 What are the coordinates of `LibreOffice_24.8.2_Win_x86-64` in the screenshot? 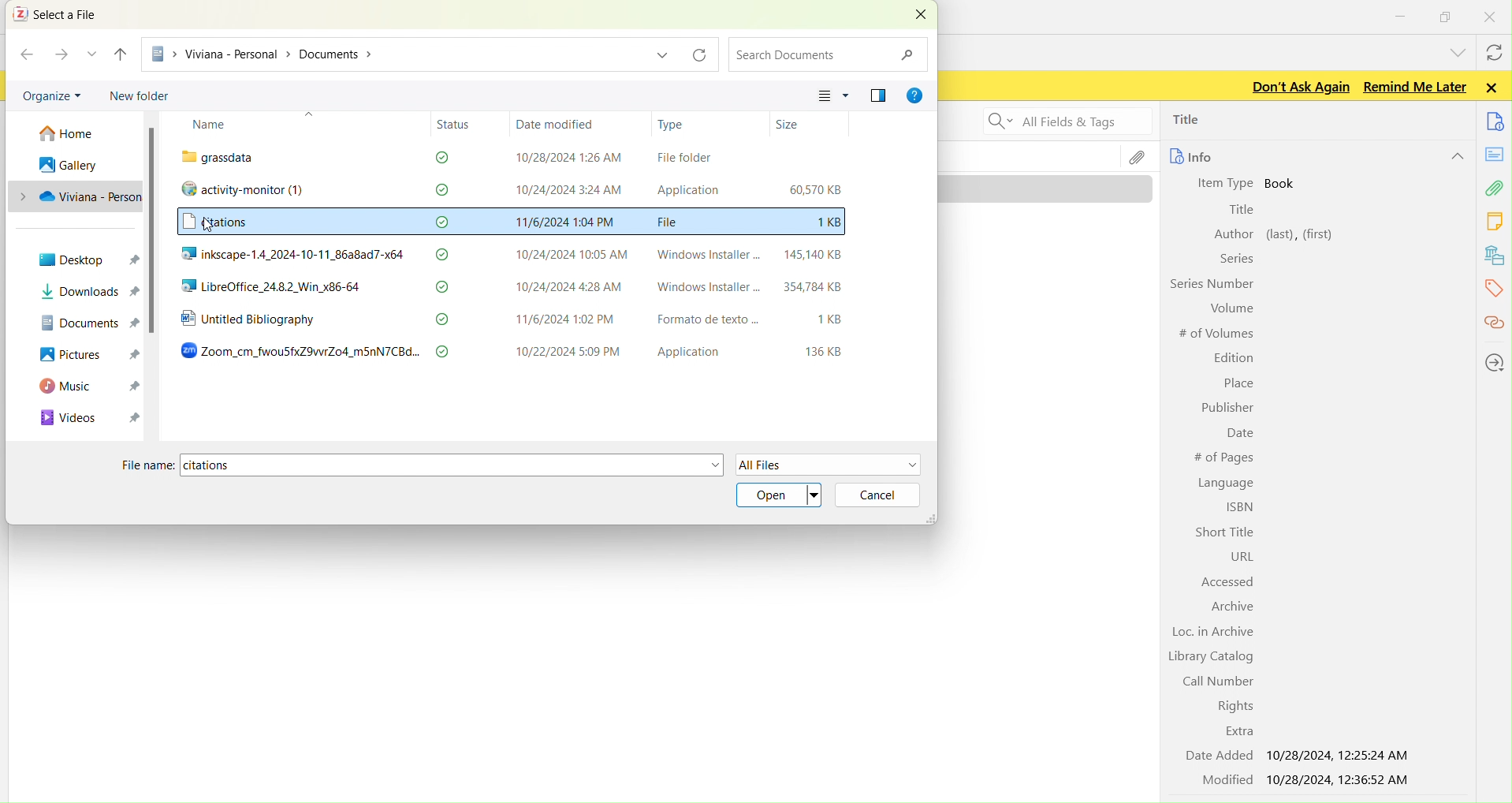 It's located at (289, 288).